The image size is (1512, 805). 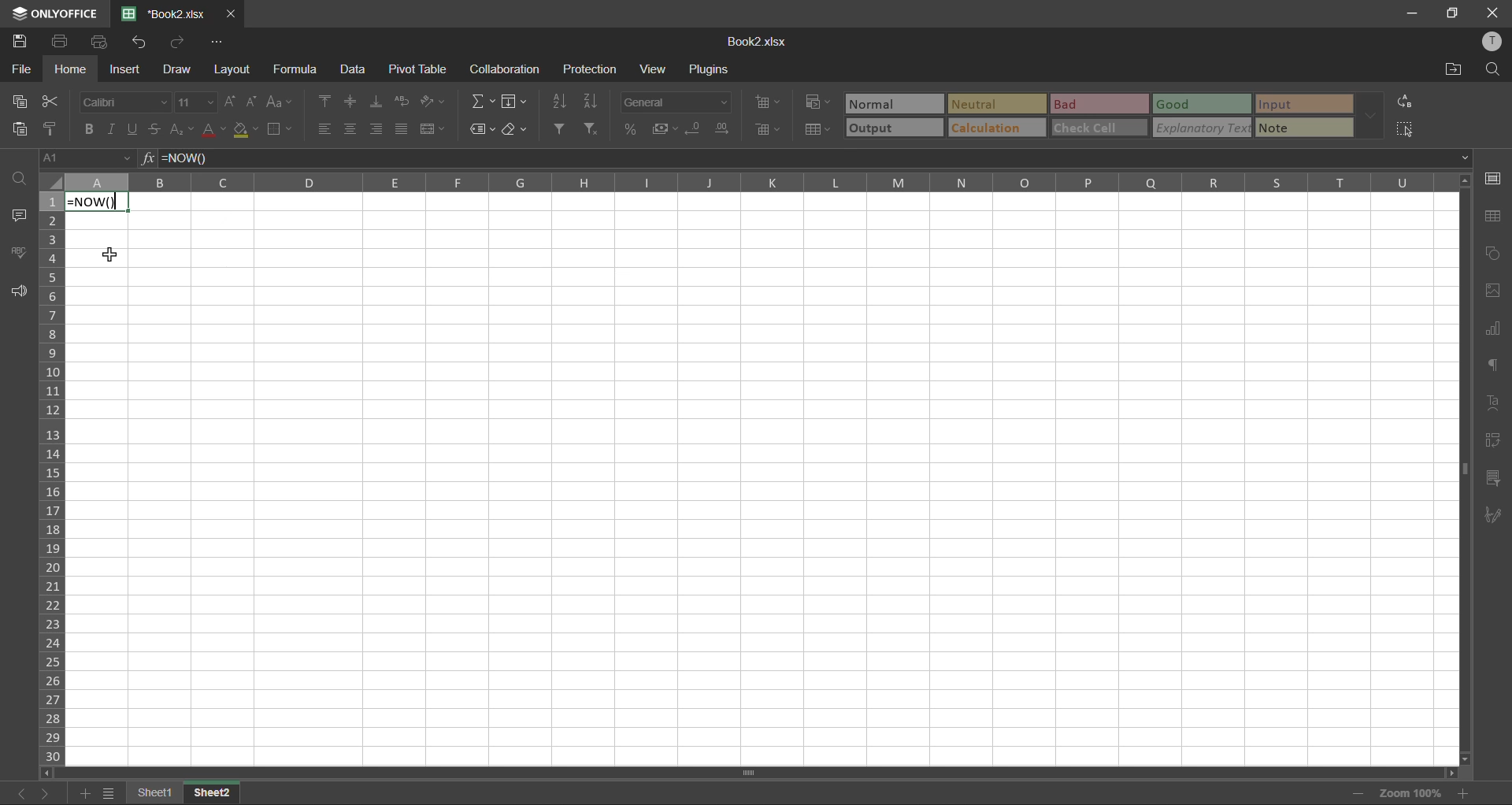 What do you see at coordinates (1465, 793) in the screenshot?
I see `zoom in ` at bounding box center [1465, 793].